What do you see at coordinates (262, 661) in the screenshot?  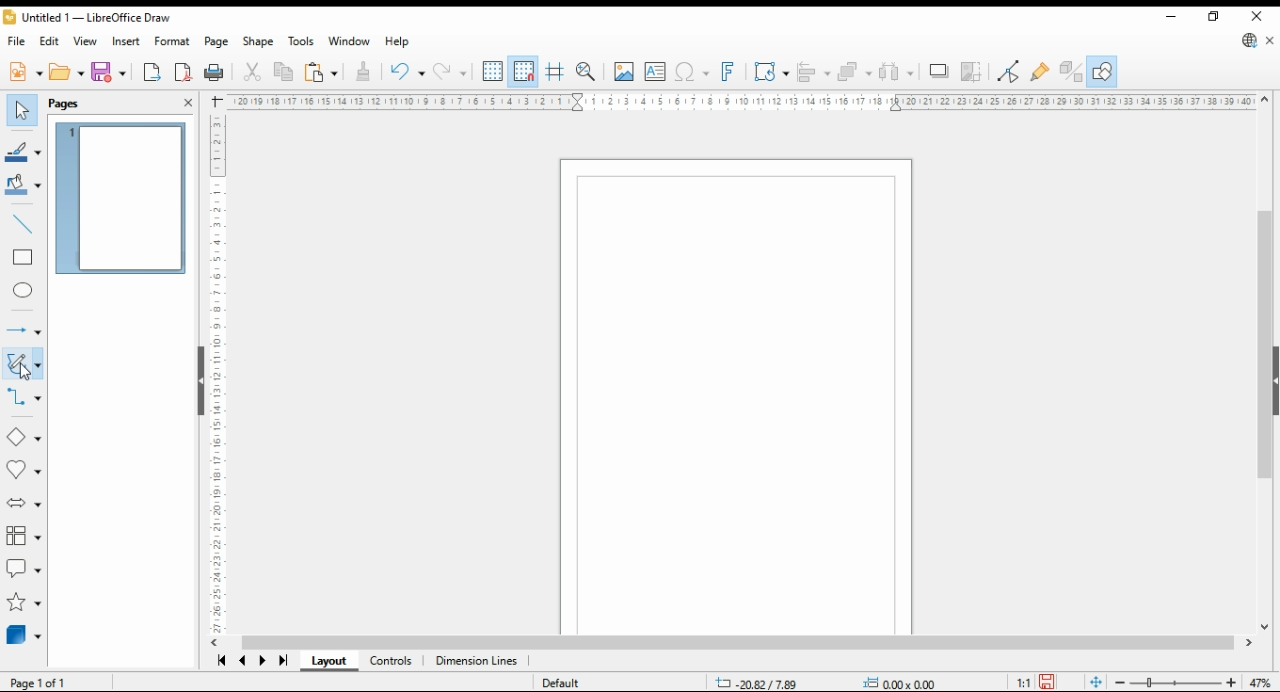 I see `next page` at bounding box center [262, 661].